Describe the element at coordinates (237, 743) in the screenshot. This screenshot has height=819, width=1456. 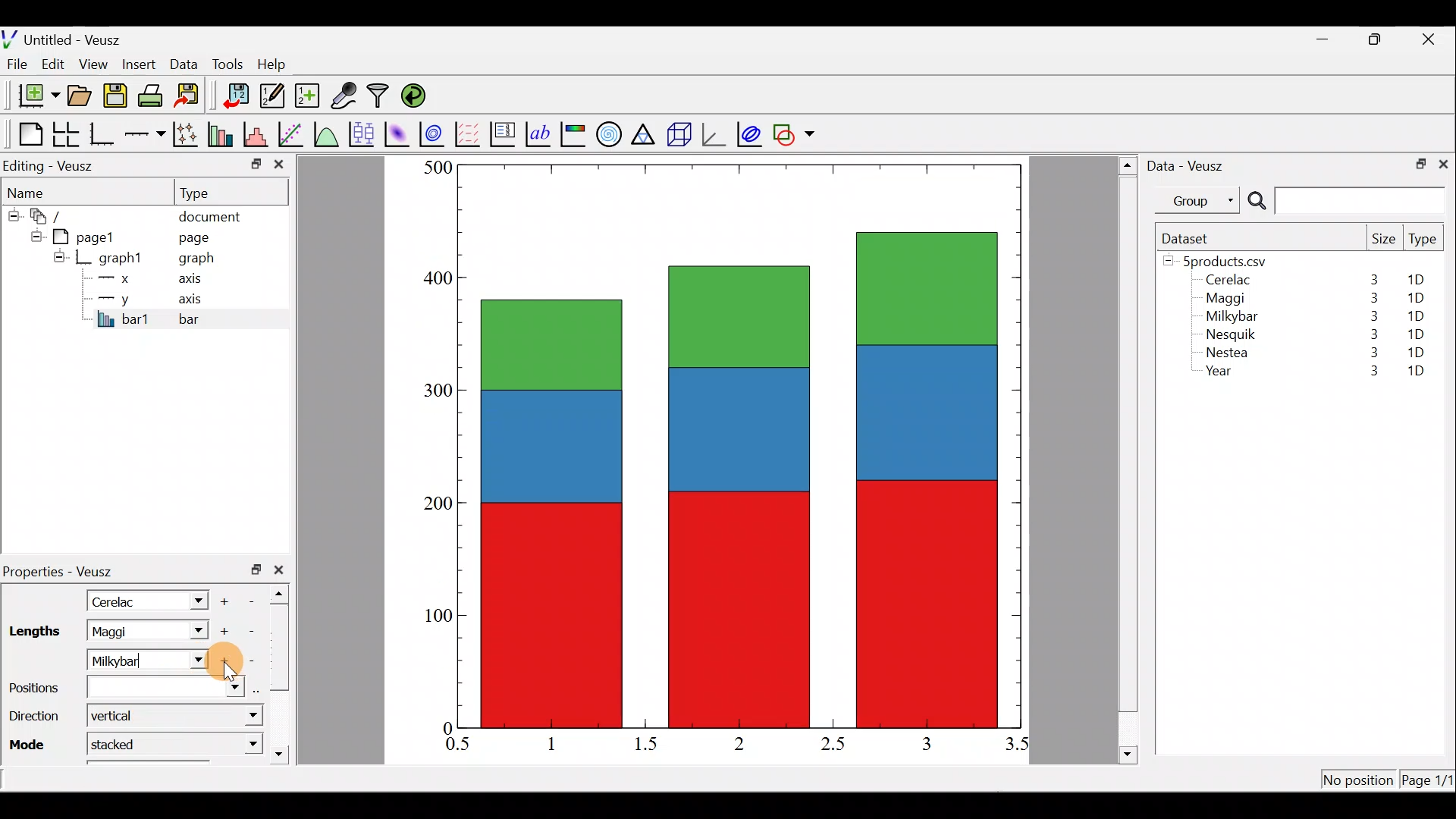
I see `mode dropdown` at that location.